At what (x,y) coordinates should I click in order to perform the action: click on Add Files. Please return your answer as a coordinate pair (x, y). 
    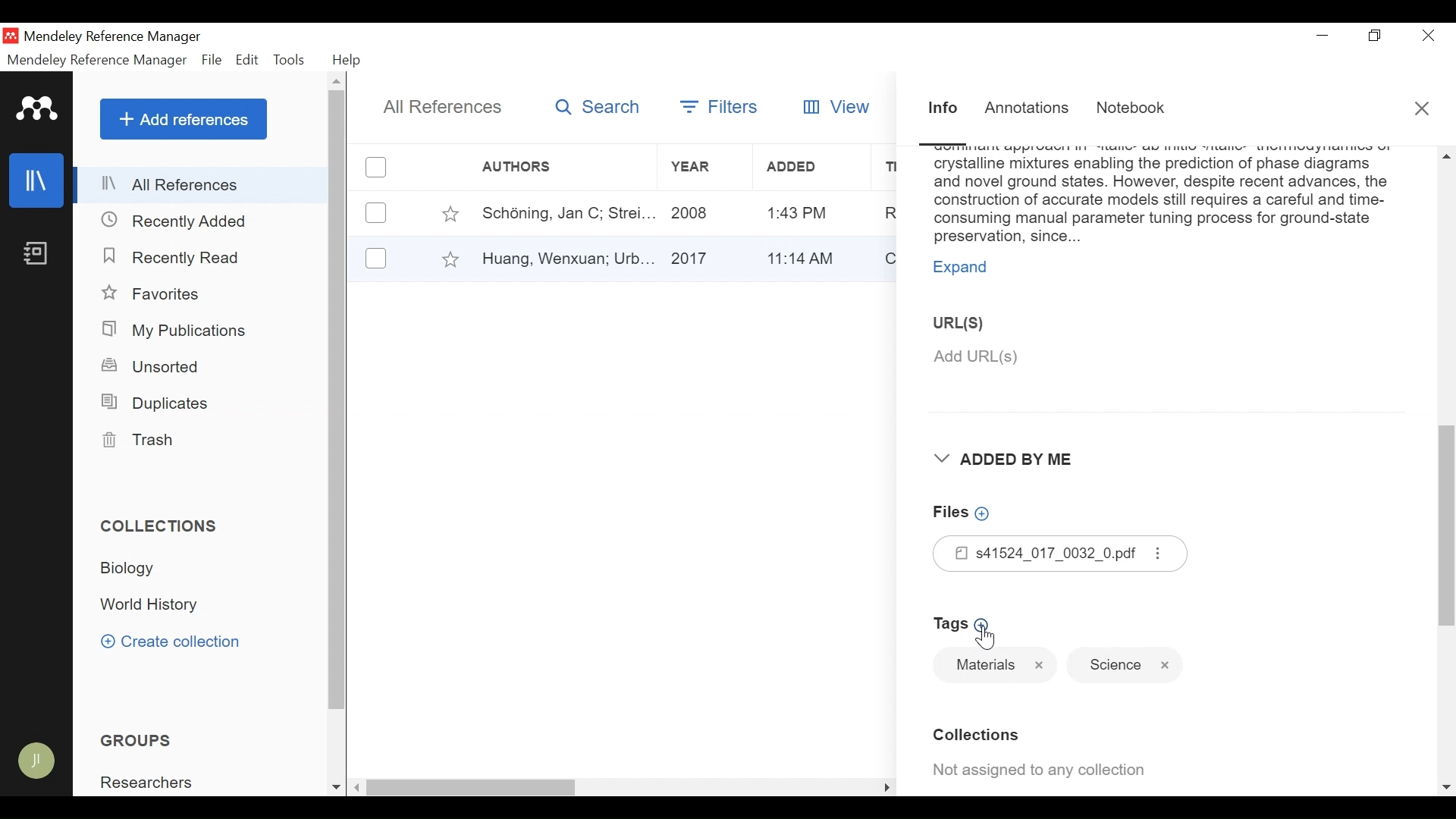
    Looking at the image, I should click on (964, 513).